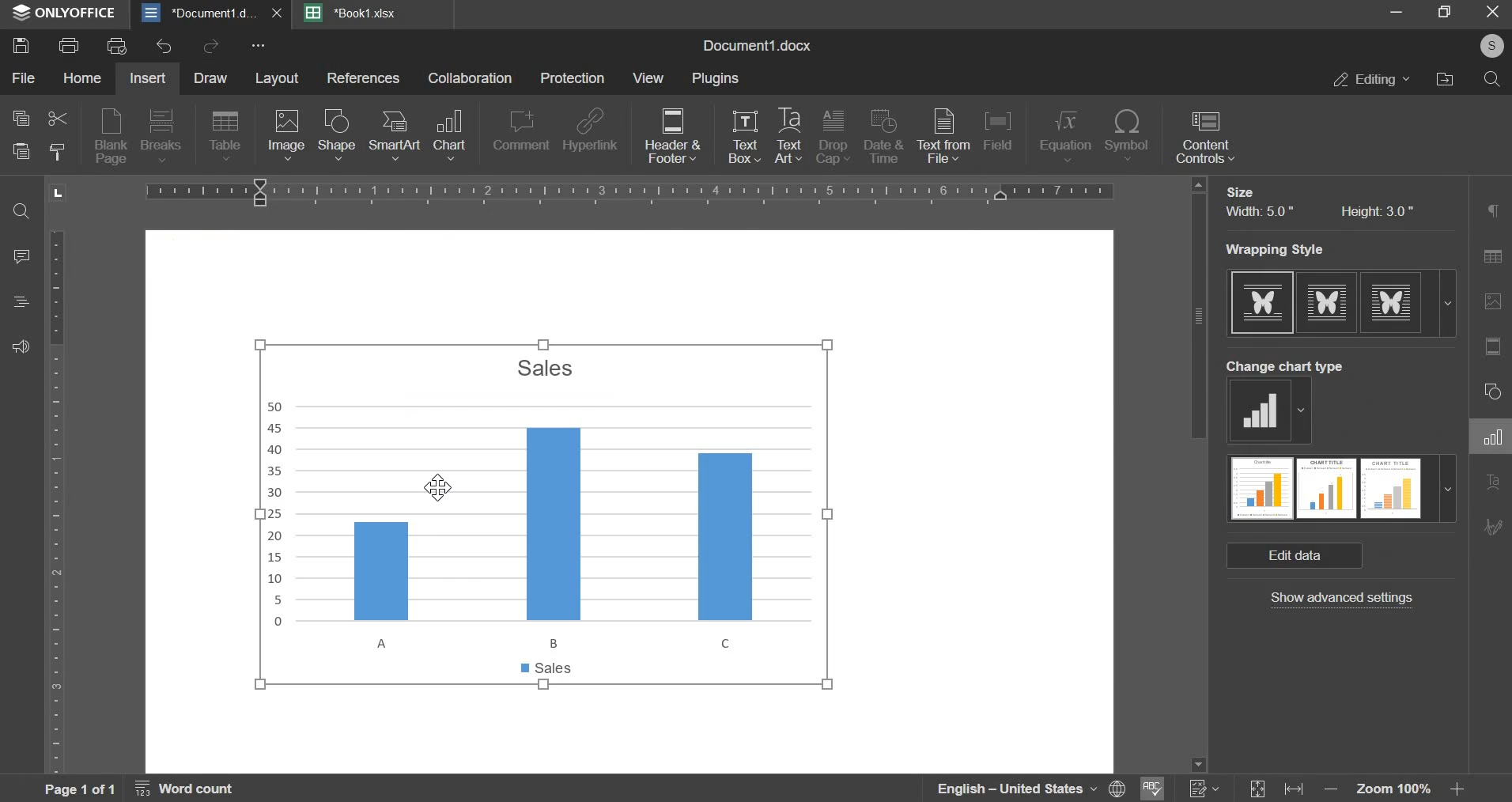 This screenshot has width=1512, height=802. I want to click on wrapping style, so click(1287, 248).